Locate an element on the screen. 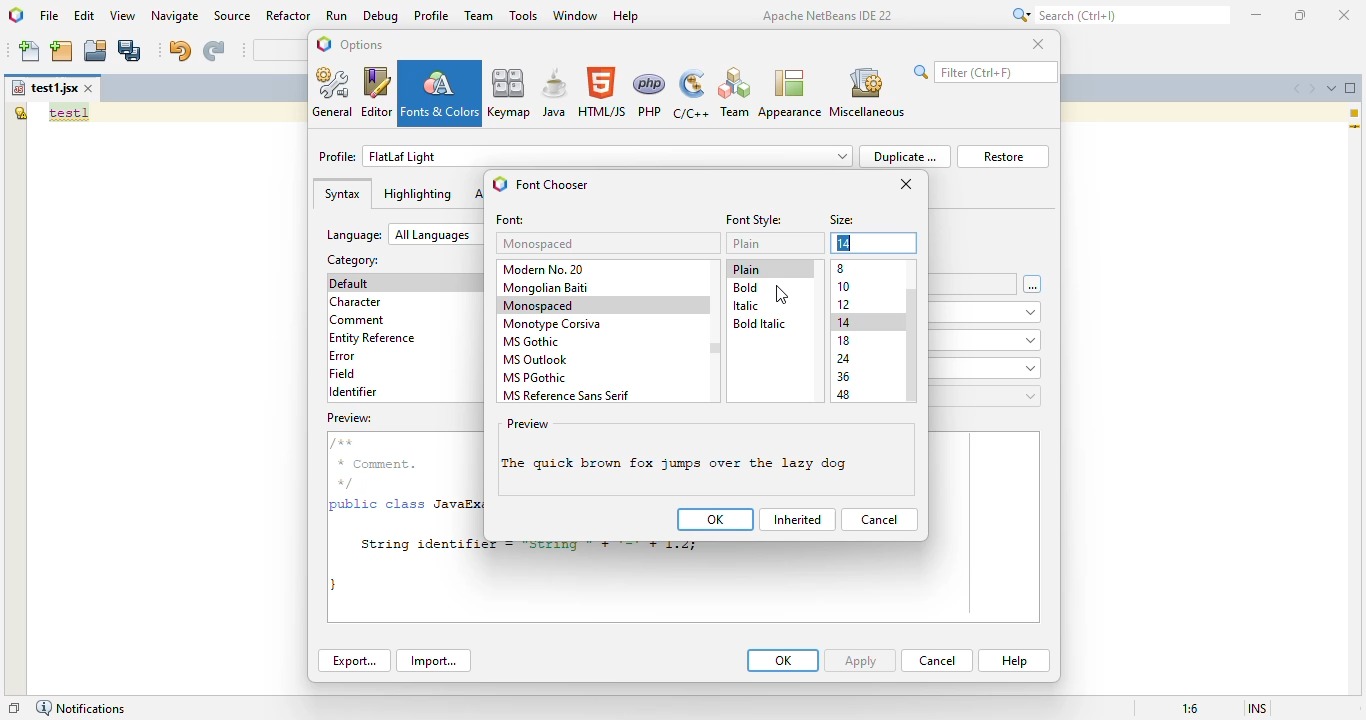 The width and height of the screenshot is (1366, 720). current line is located at coordinates (1355, 128).